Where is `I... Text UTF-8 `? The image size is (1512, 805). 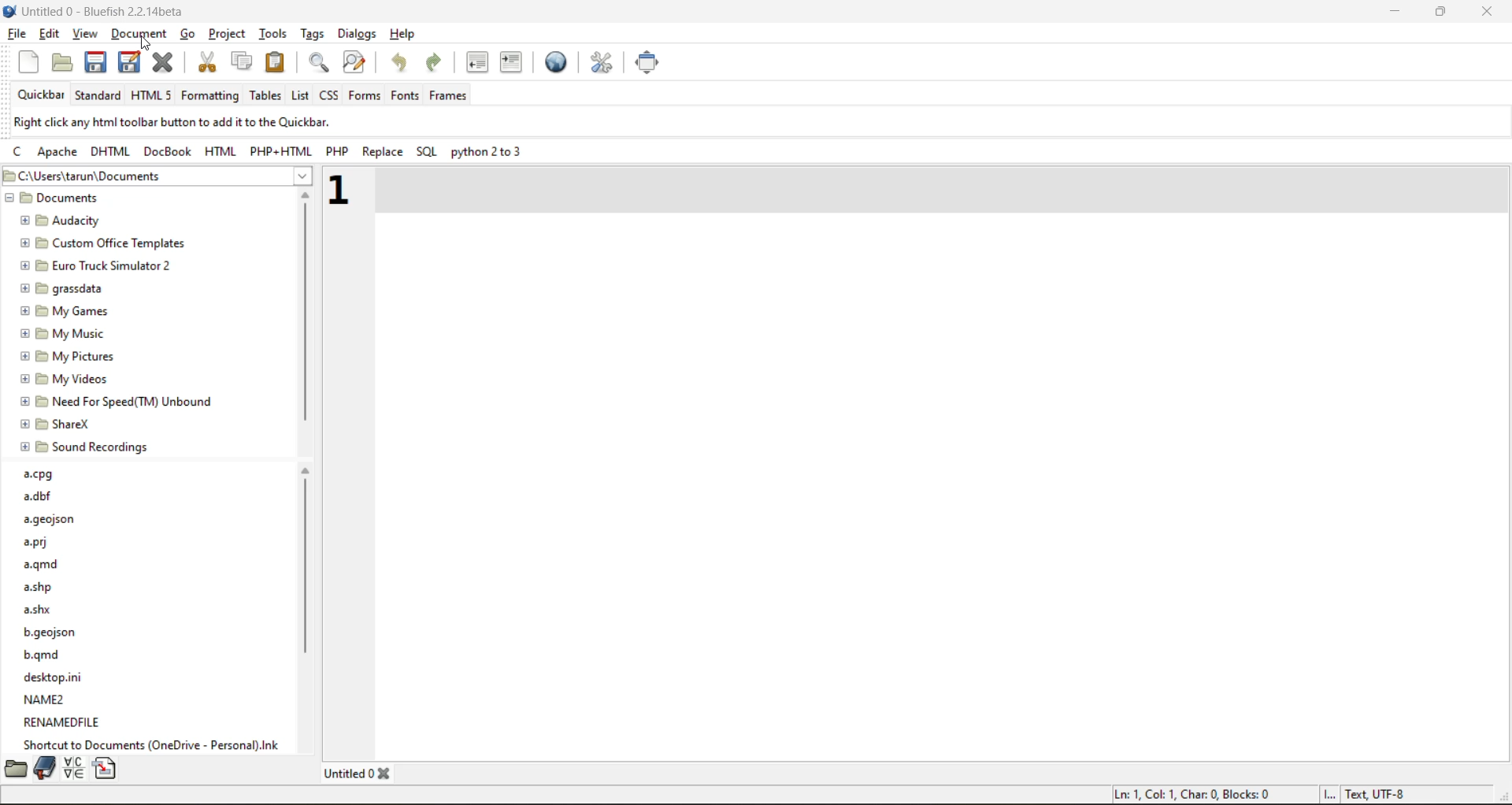 I... Text UTF-8  is located at coordinates (1366, 793).